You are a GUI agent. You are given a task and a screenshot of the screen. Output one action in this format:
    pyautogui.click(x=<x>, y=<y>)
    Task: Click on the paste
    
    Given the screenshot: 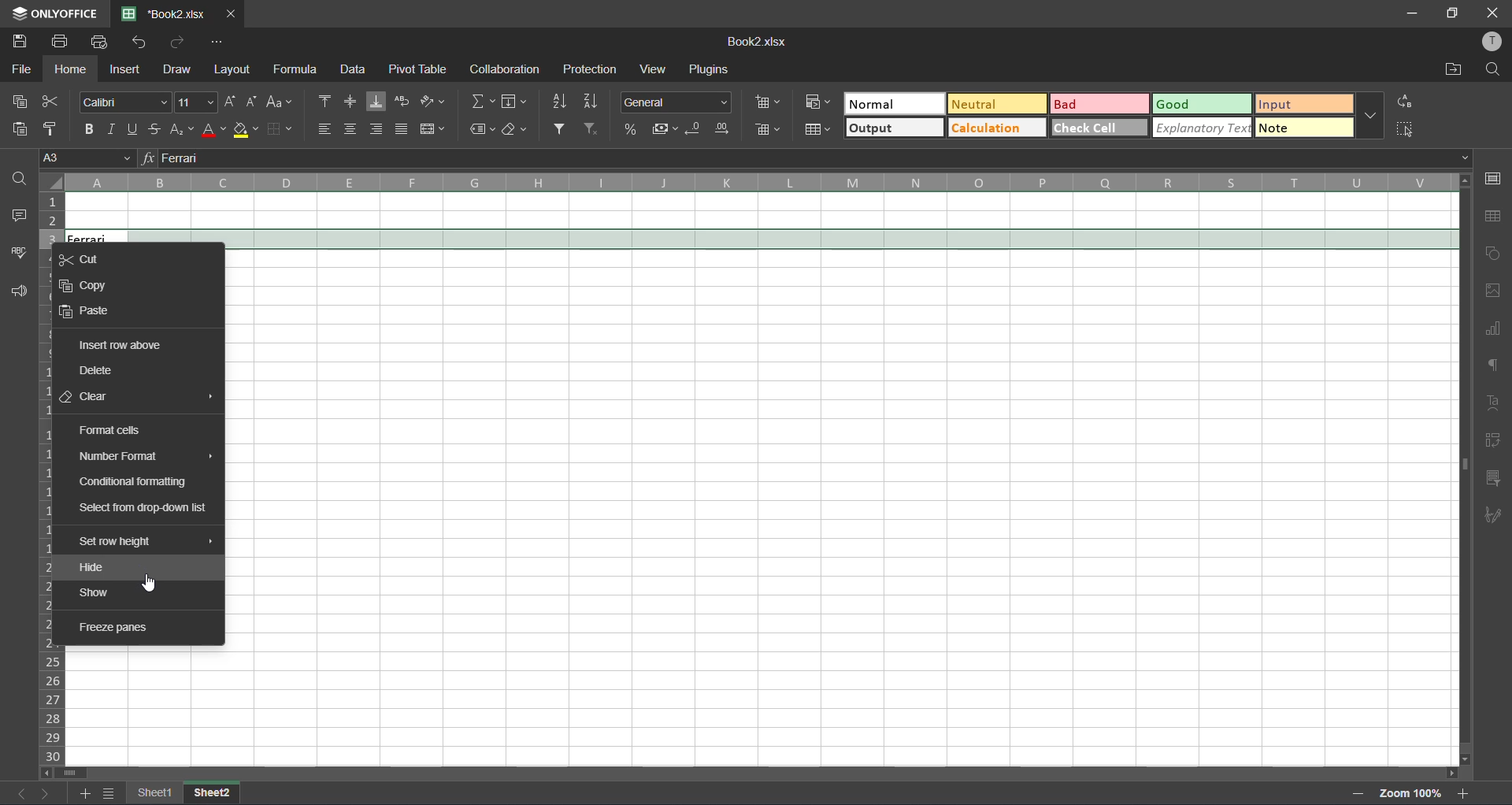 What is the action you would take?
    pyautogui.click(x=90, y=310)
    